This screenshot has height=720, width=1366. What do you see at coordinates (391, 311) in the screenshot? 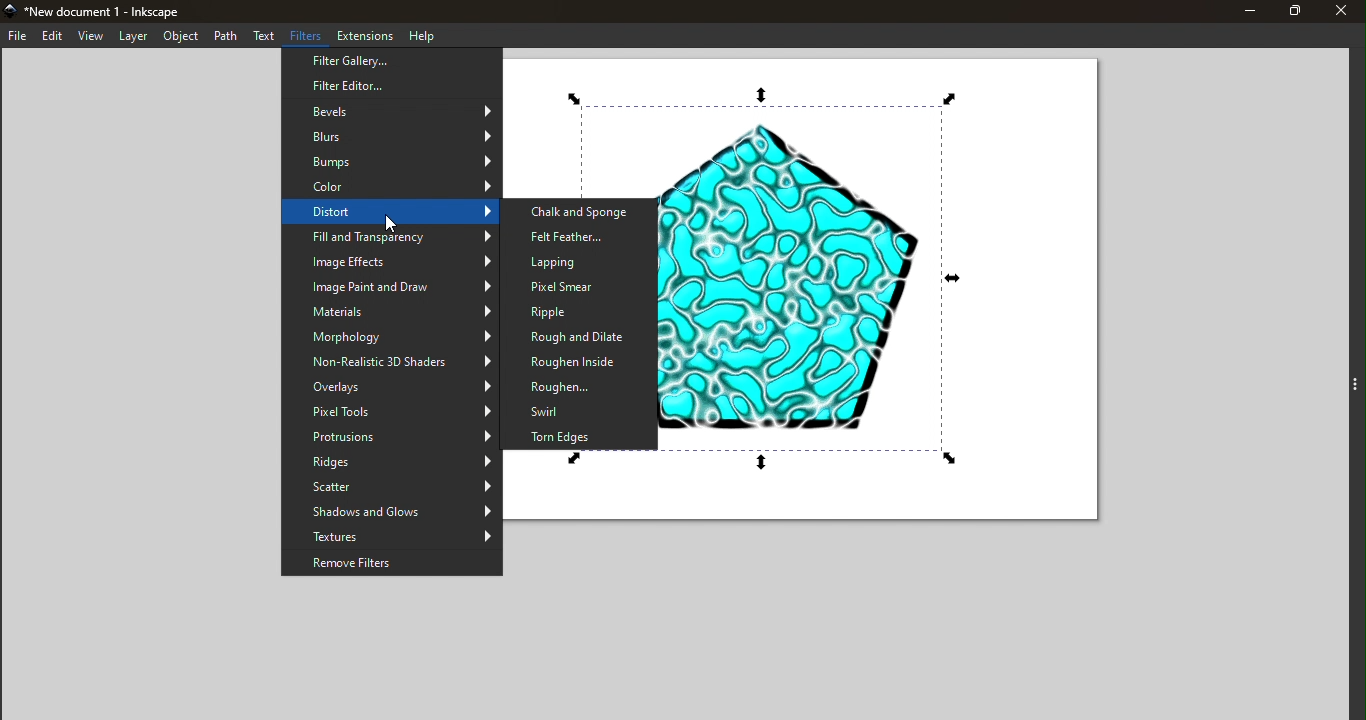
I see `Materials` at bounding box center [391, 311].